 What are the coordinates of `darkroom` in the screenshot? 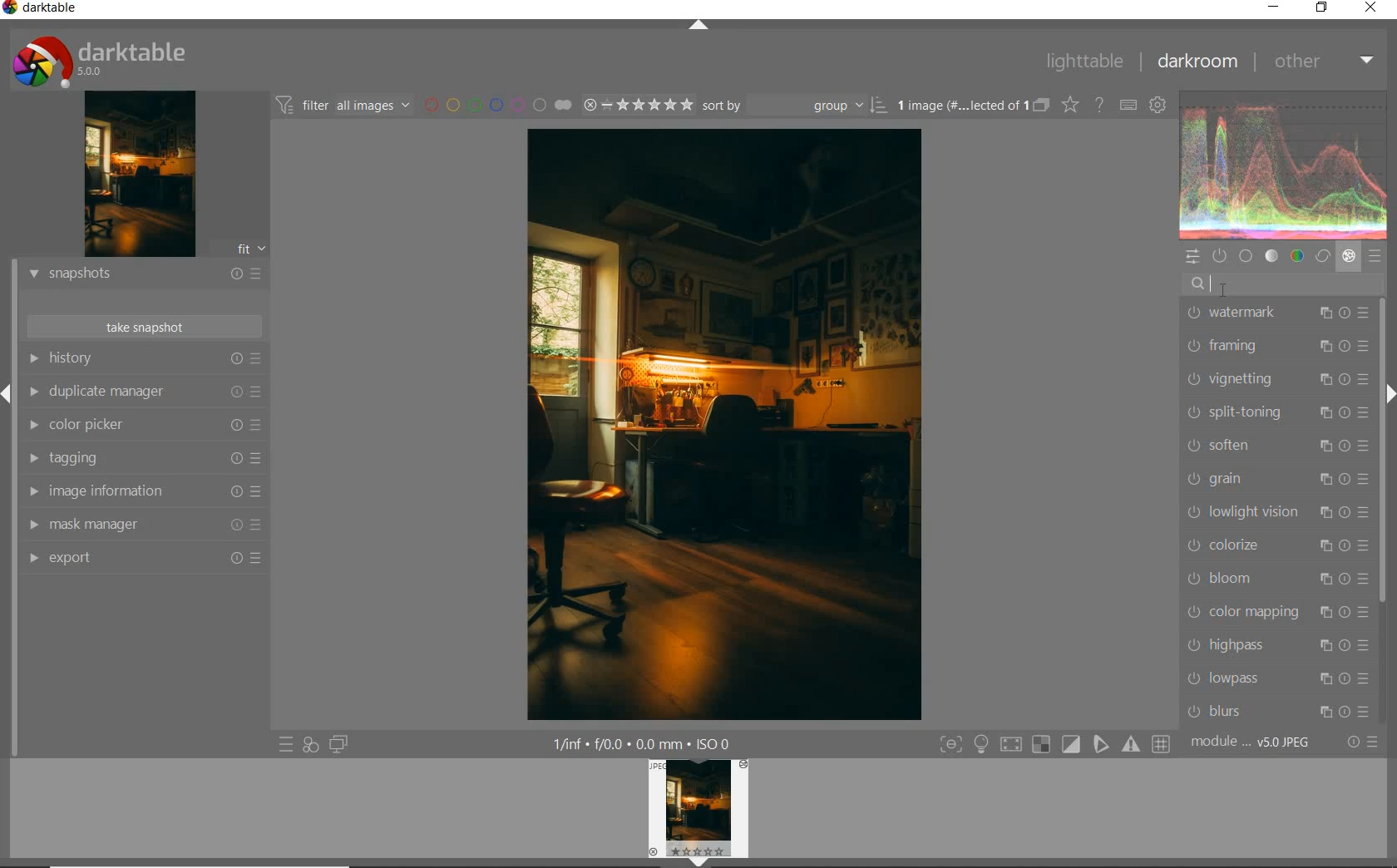 It's located at (1204, 62).